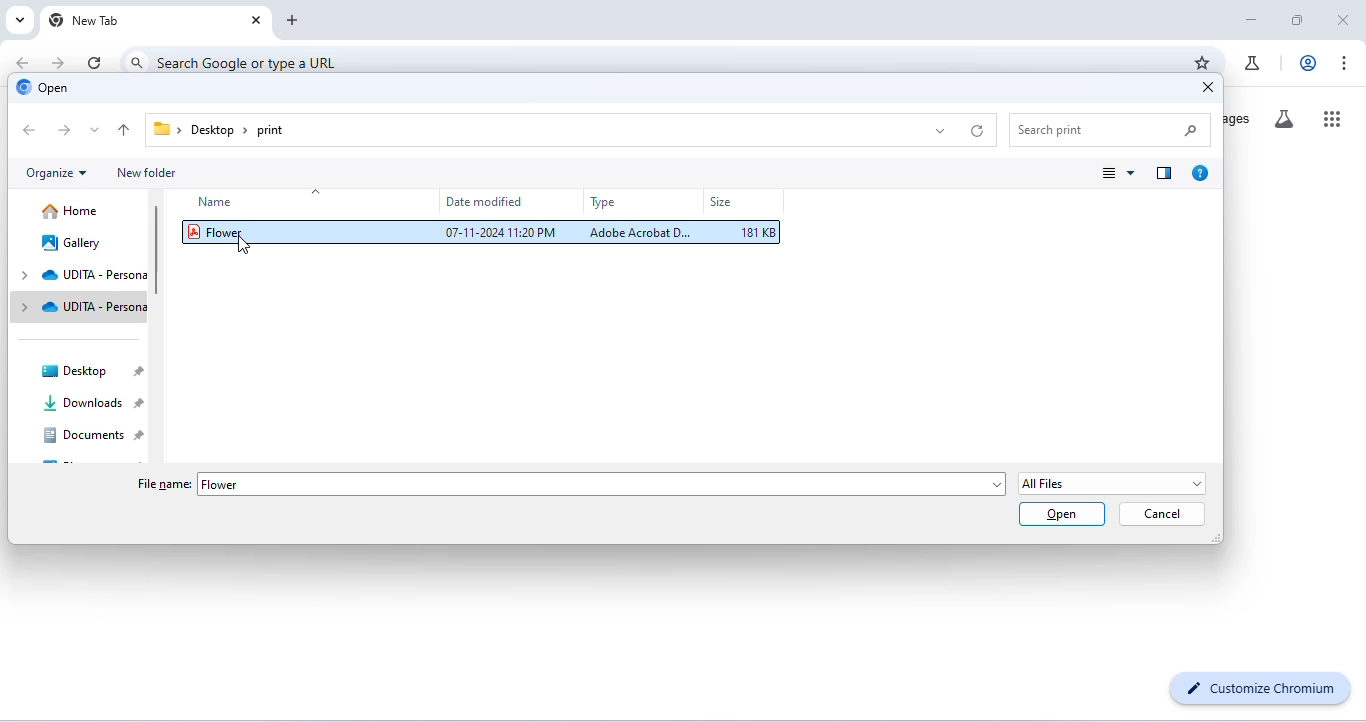 Image resolution: width=1366 pixels, height=722 pixels. I want to click on new folder, so click(145, 173).